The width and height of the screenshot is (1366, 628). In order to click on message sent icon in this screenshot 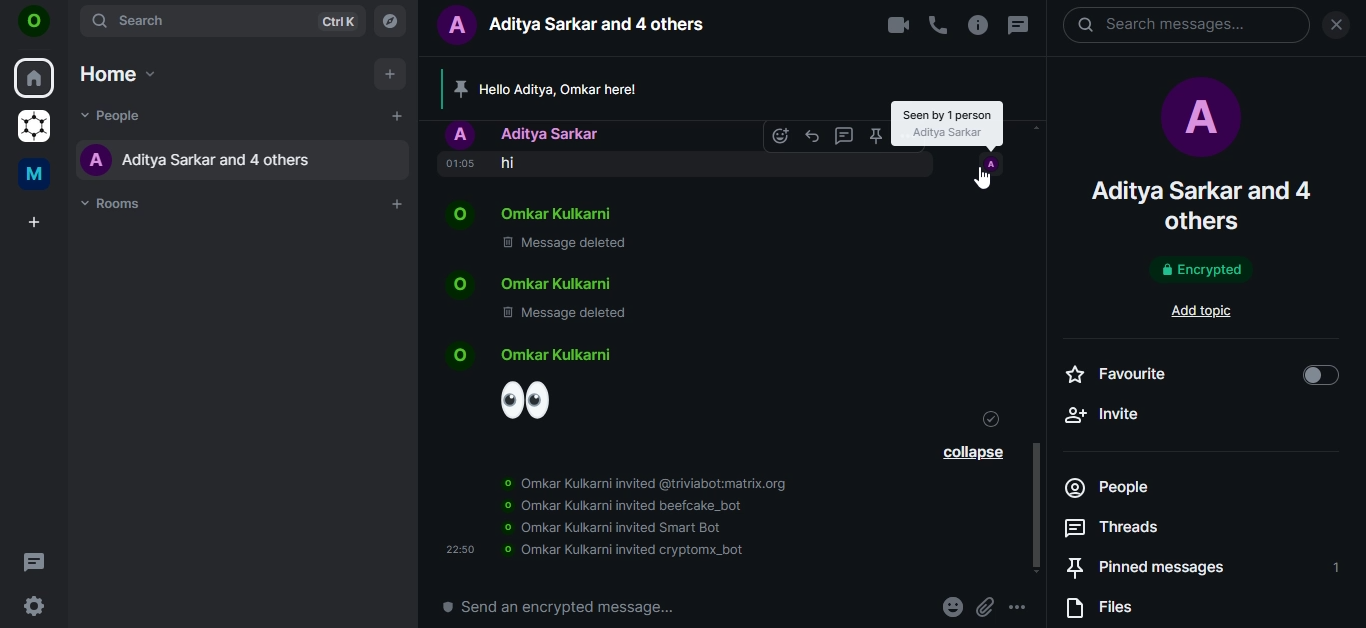, I will do `click(992, 422)`.